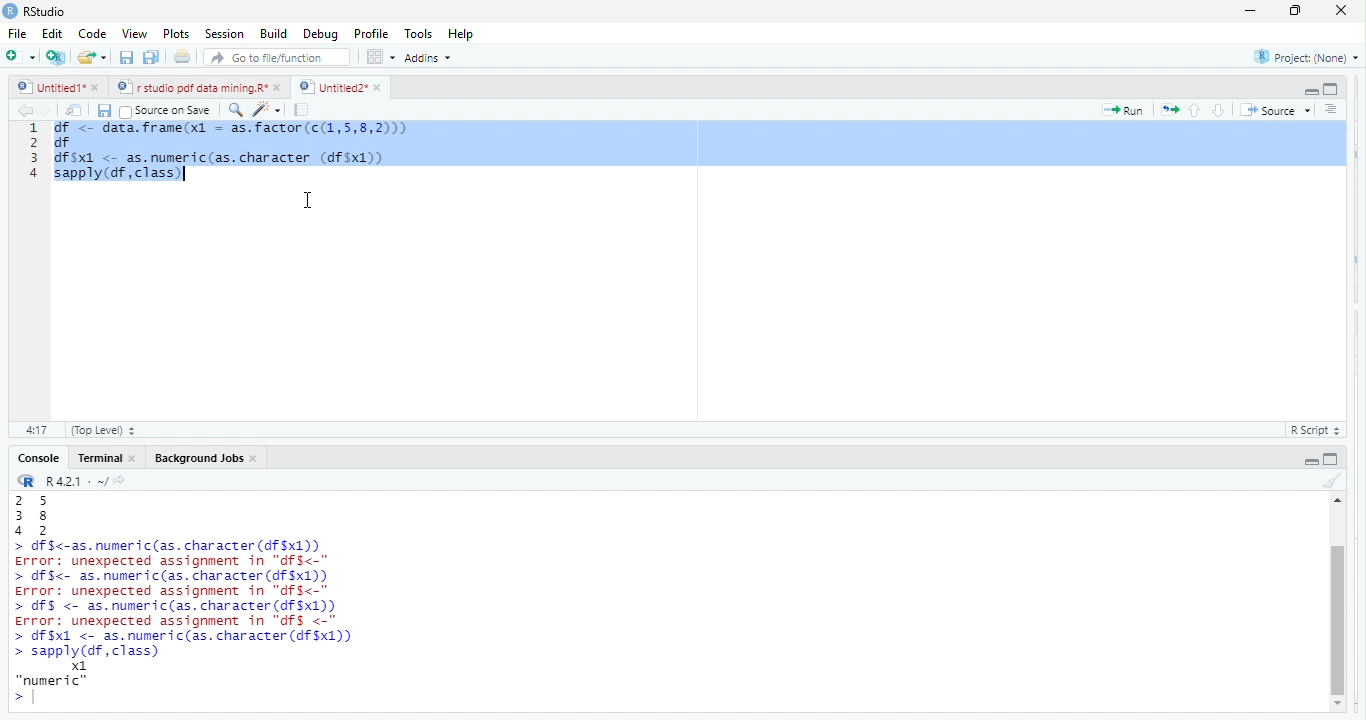 Image resolution: width=1366 pixels, height=720 pixels. Describe the element at coordinates (322, 34) in the screenshot. I see `debug` at that location.